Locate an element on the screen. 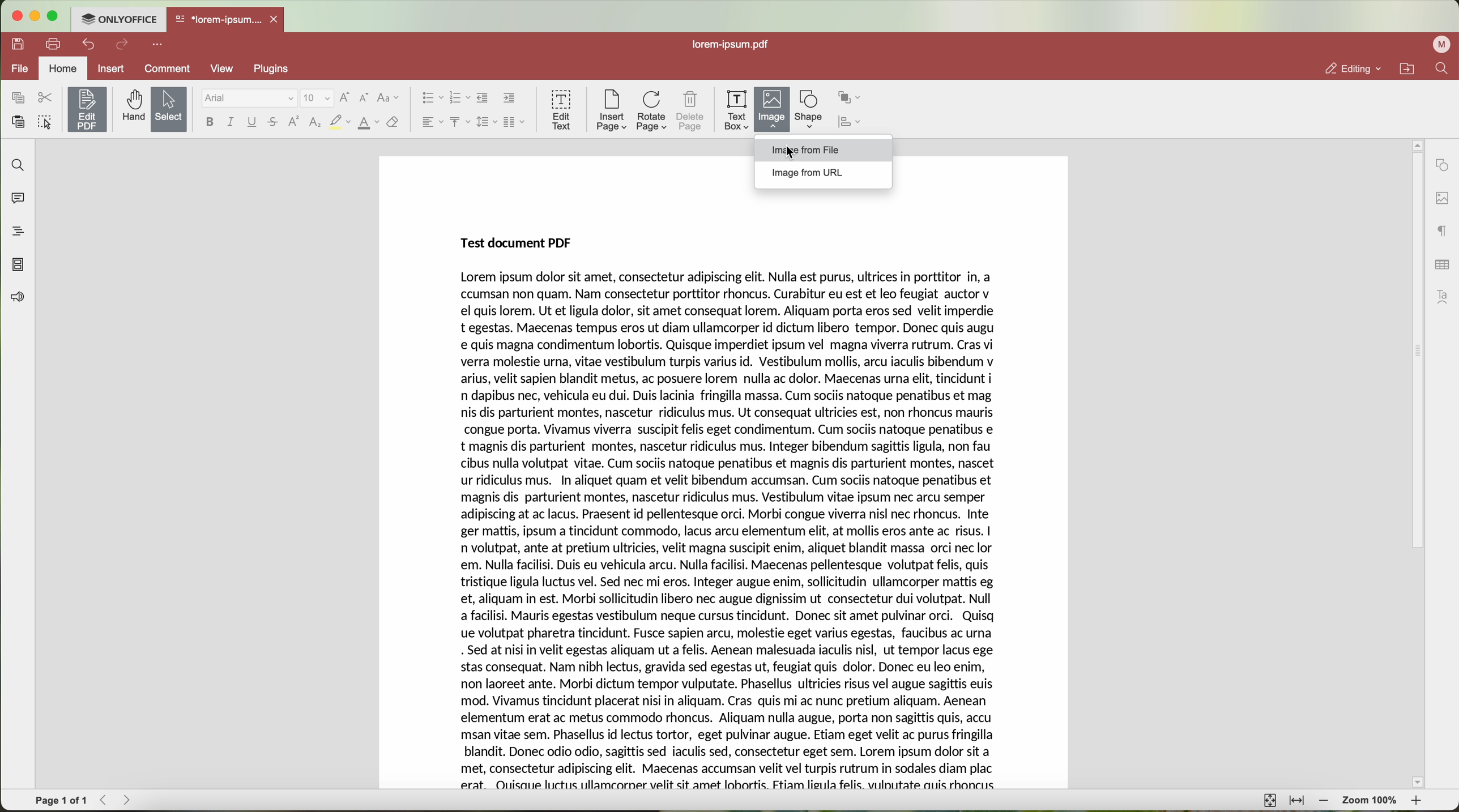 The height and width of the screenshot is (812, 1459). fit to page is located at coordinates (1268, 800).